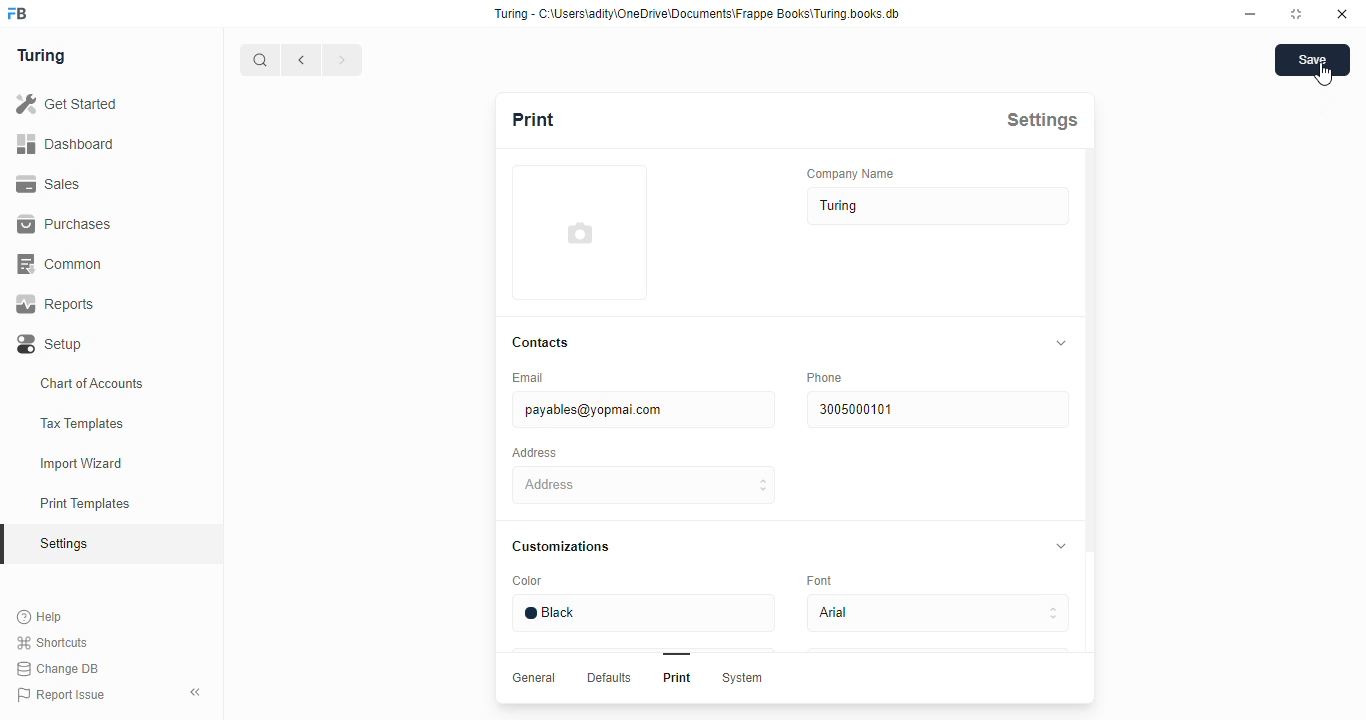  I want to click on Settings, so click(1041, 120).